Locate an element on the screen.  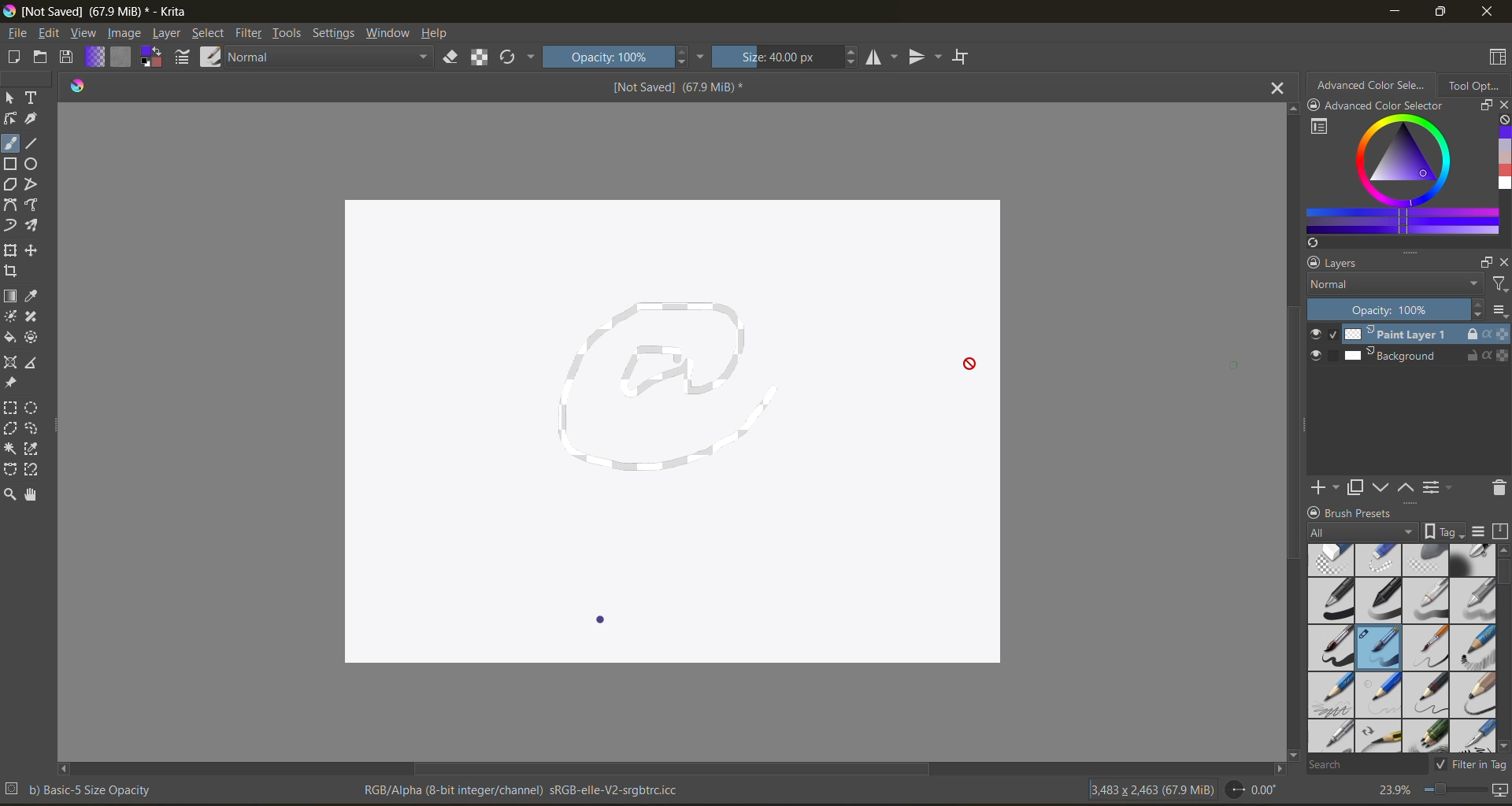
black pen is located at coordinates (1380, 601).